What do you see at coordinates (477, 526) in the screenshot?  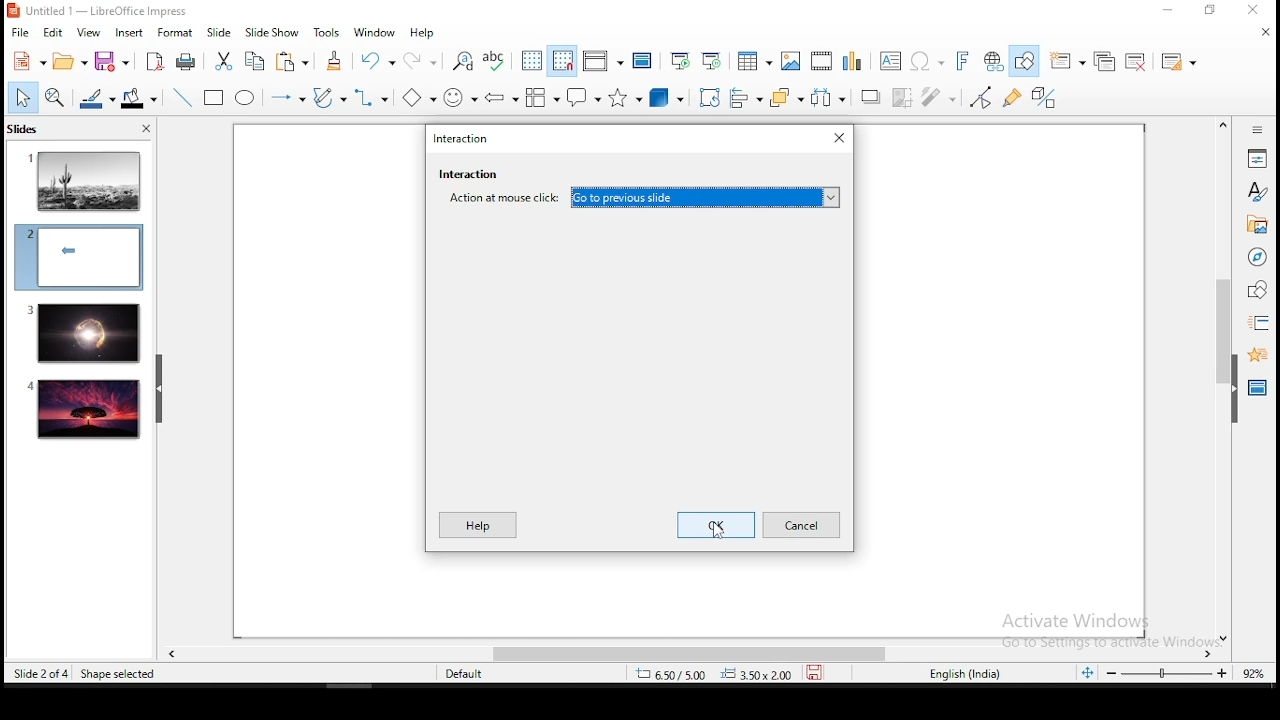 I see `help` at bounding box center [477, 526].